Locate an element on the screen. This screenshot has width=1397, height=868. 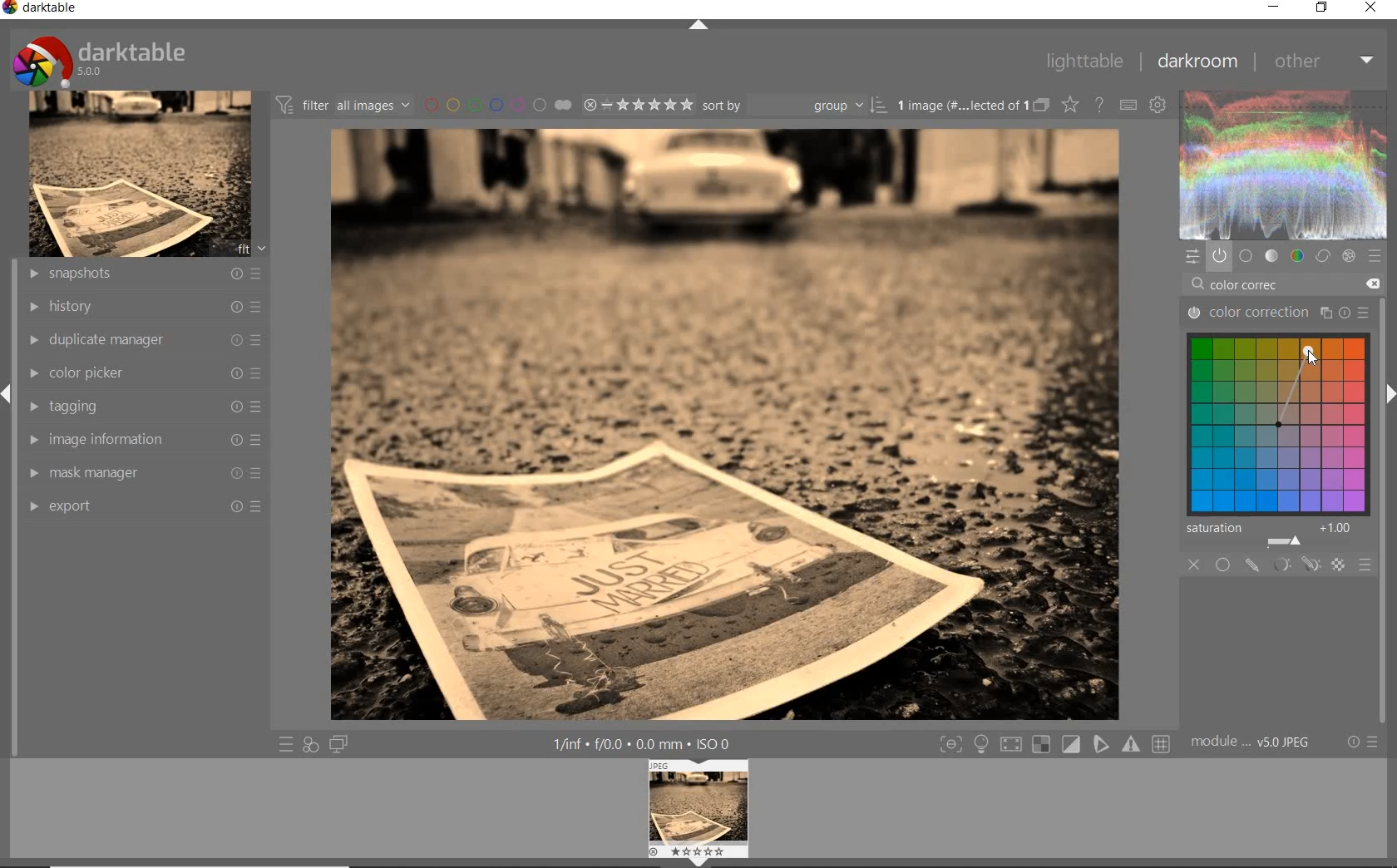
close is located at coordinates (1194, 565).